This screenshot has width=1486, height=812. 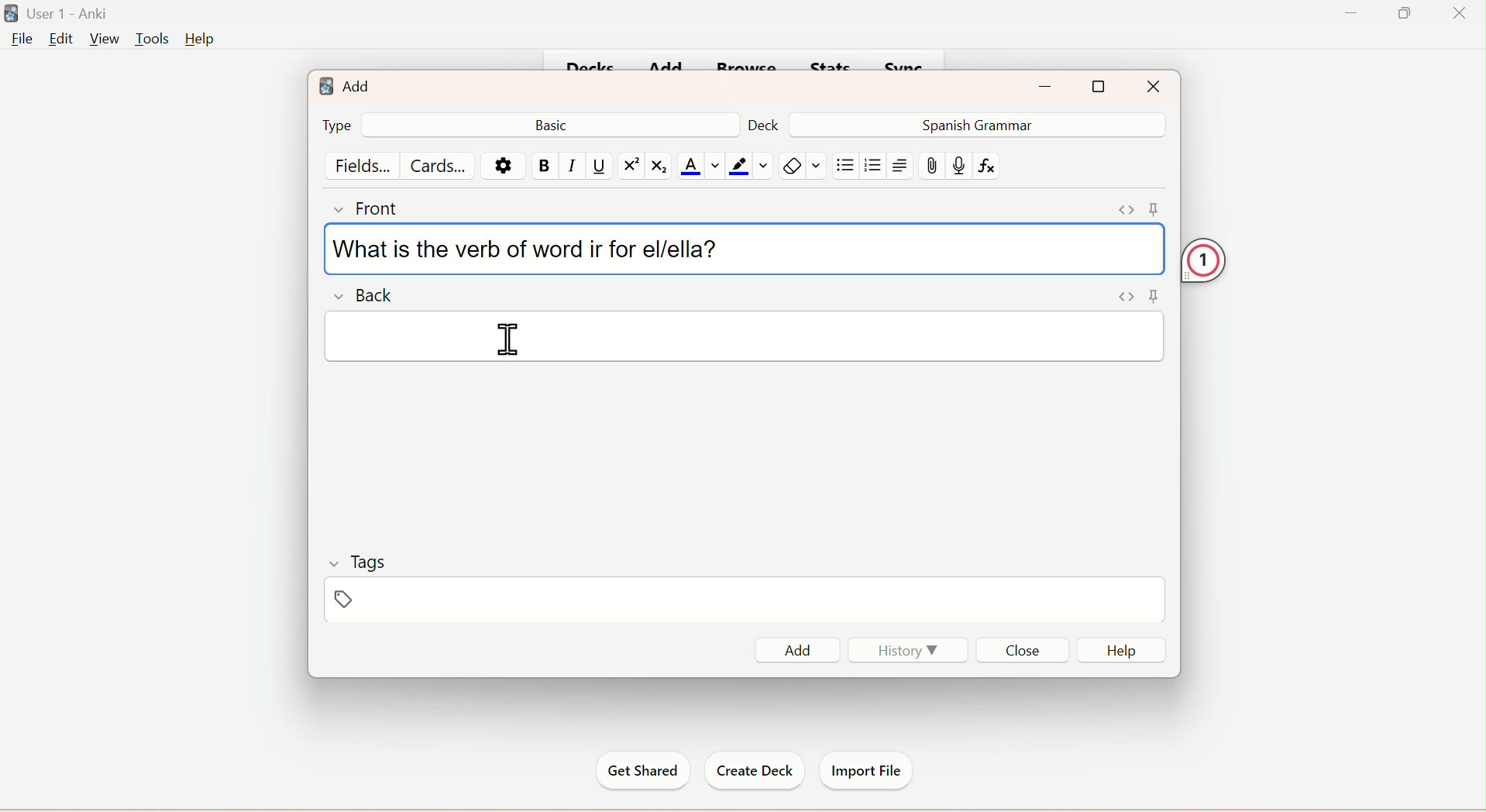 What do you see at coordinates (573, 166) in the screenshot?
I see `Italiac` at bounding box center [573, 166].